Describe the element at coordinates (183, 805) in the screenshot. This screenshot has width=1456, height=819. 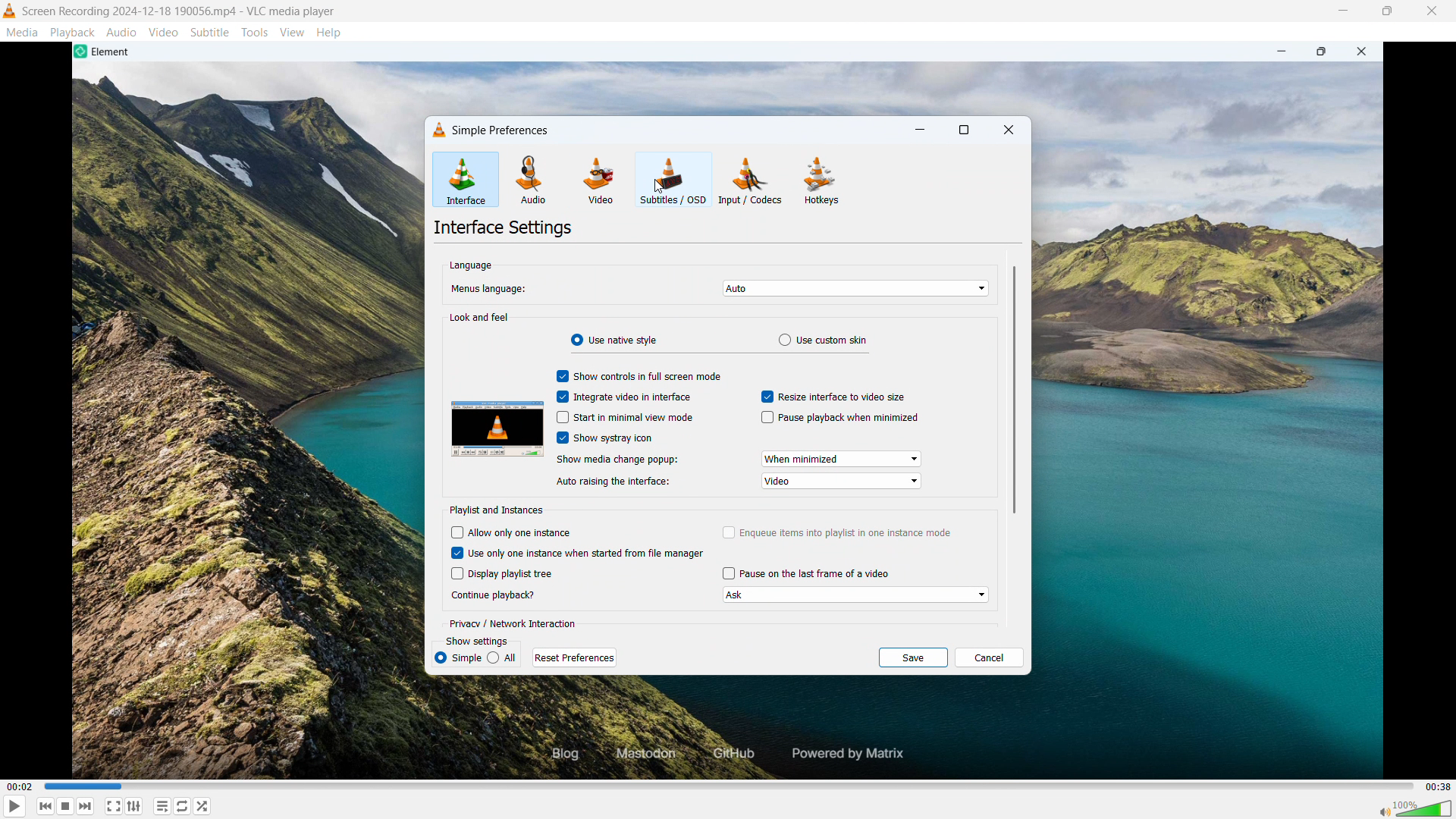
I see `Toggle between loop all, loop one & no loop ` at that location.